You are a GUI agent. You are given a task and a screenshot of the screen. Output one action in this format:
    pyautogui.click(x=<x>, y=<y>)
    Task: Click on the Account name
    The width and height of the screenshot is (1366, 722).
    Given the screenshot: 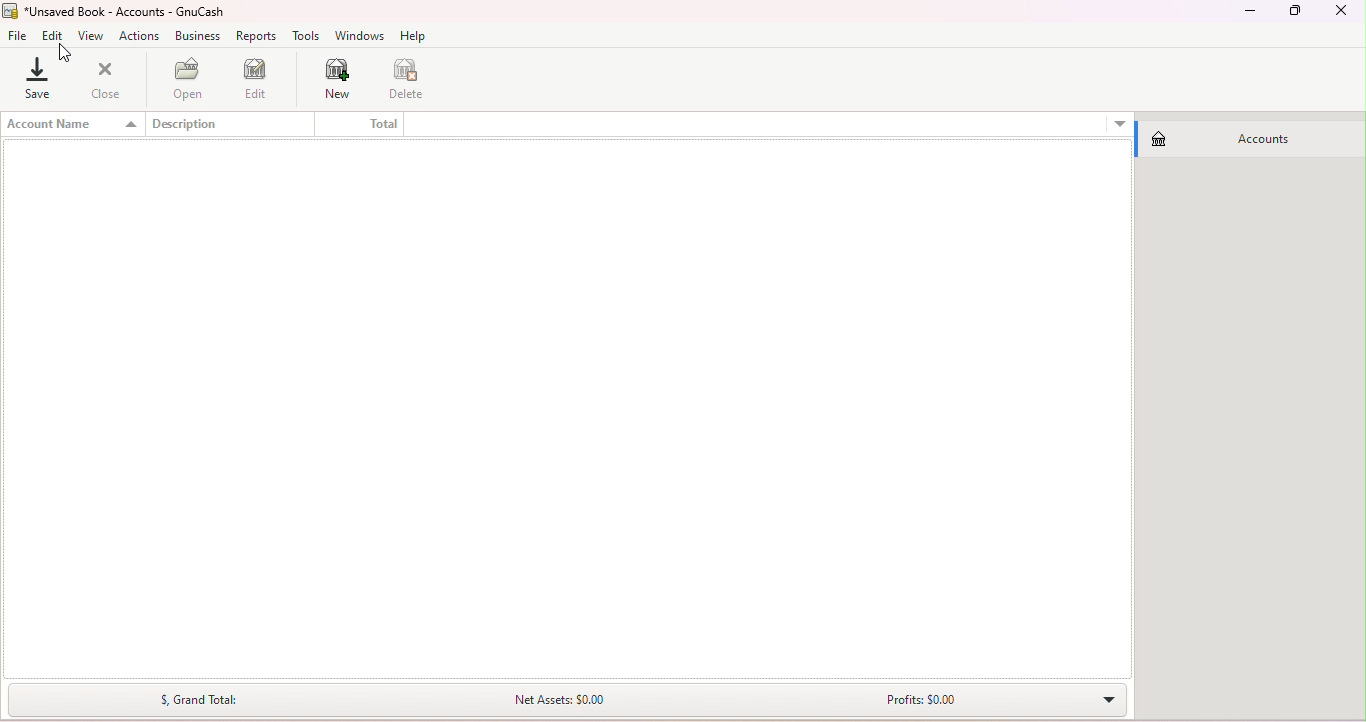 What is the action you would take?
    pyautogui.click(x=76, y=126)
    